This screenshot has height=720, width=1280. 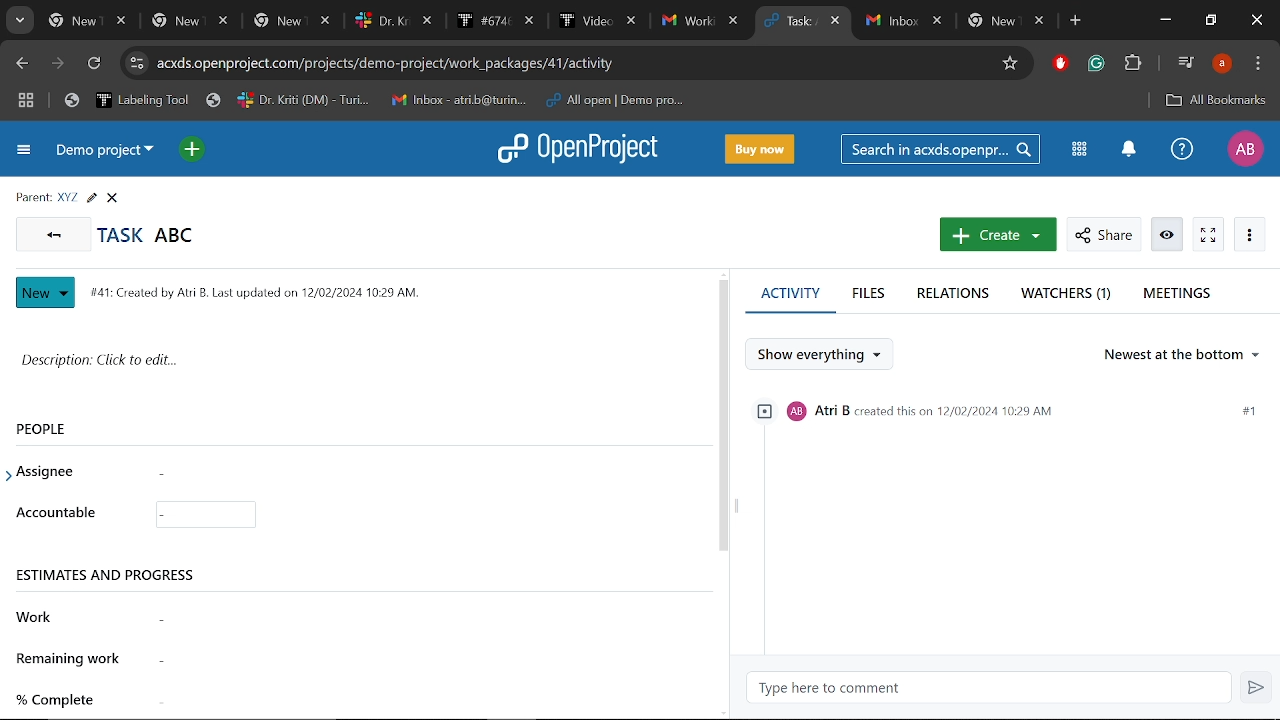 What do you see at coordinates (378, 100) in the screenshot?
I see `Bookmarks` at bounding box center [378, 100].